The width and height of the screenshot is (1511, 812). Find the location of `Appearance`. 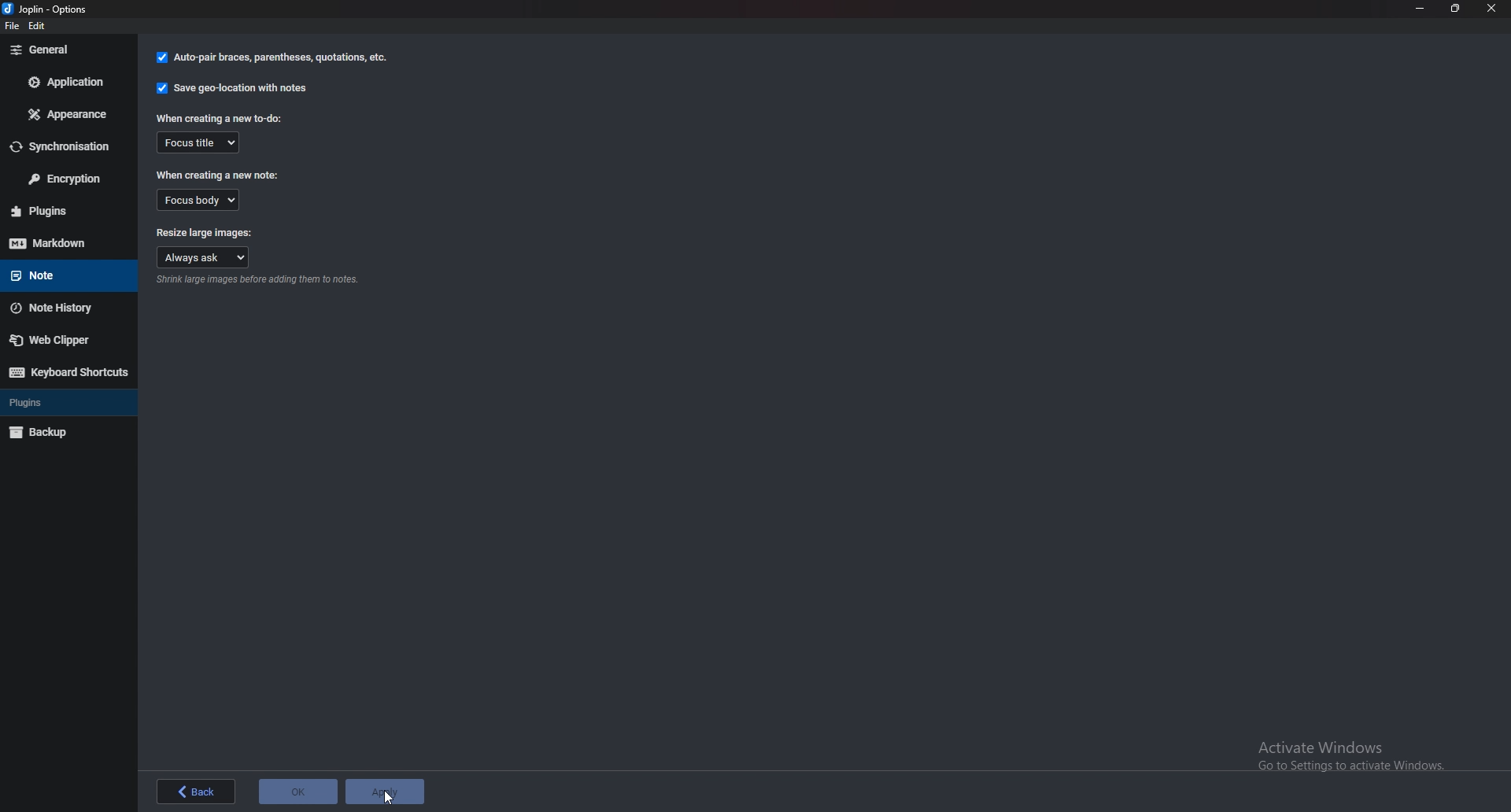

Appearance is located at coordinates (65, 116).